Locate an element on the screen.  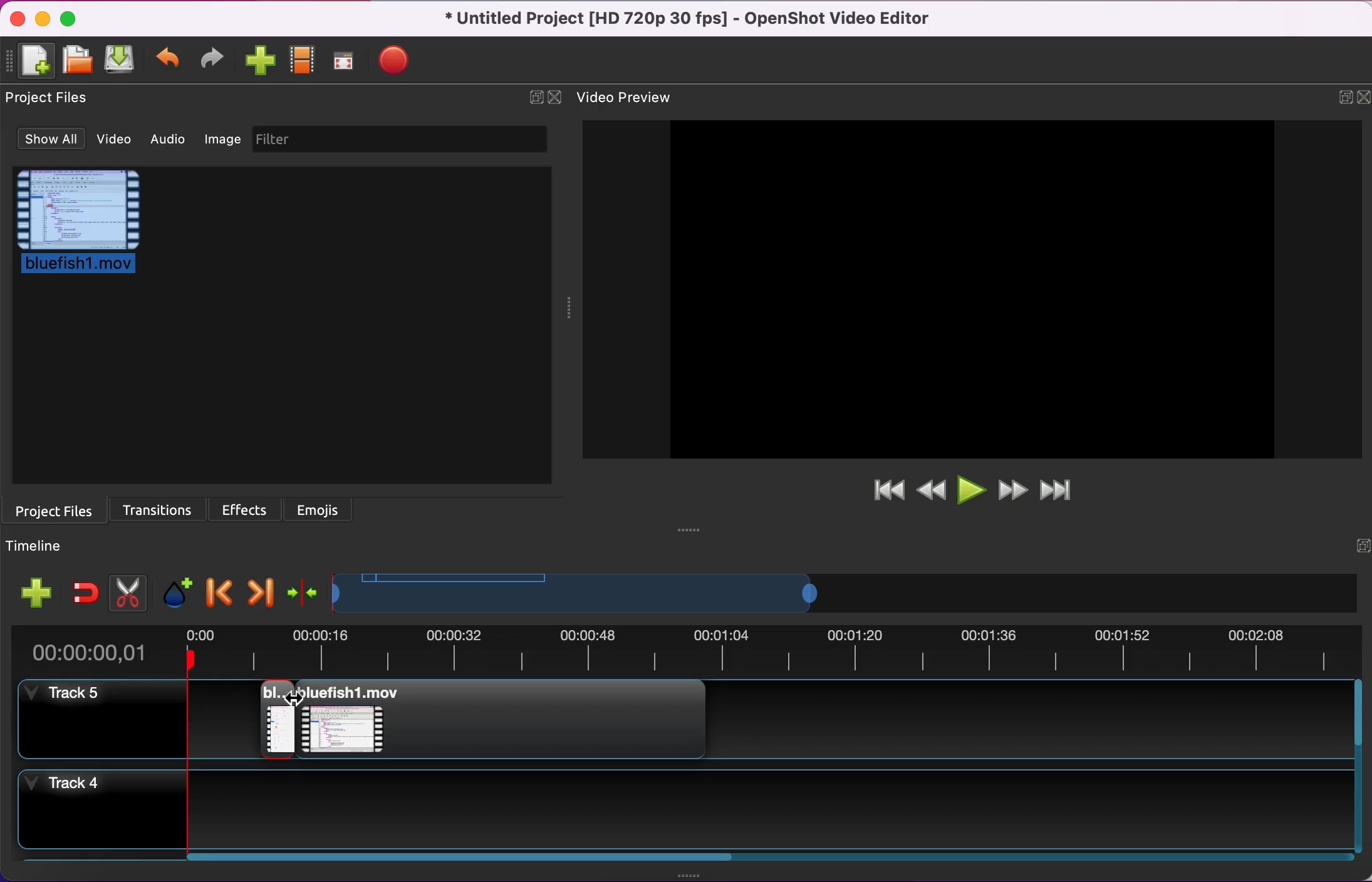
jump to end is located at coordinates (1065, 491).